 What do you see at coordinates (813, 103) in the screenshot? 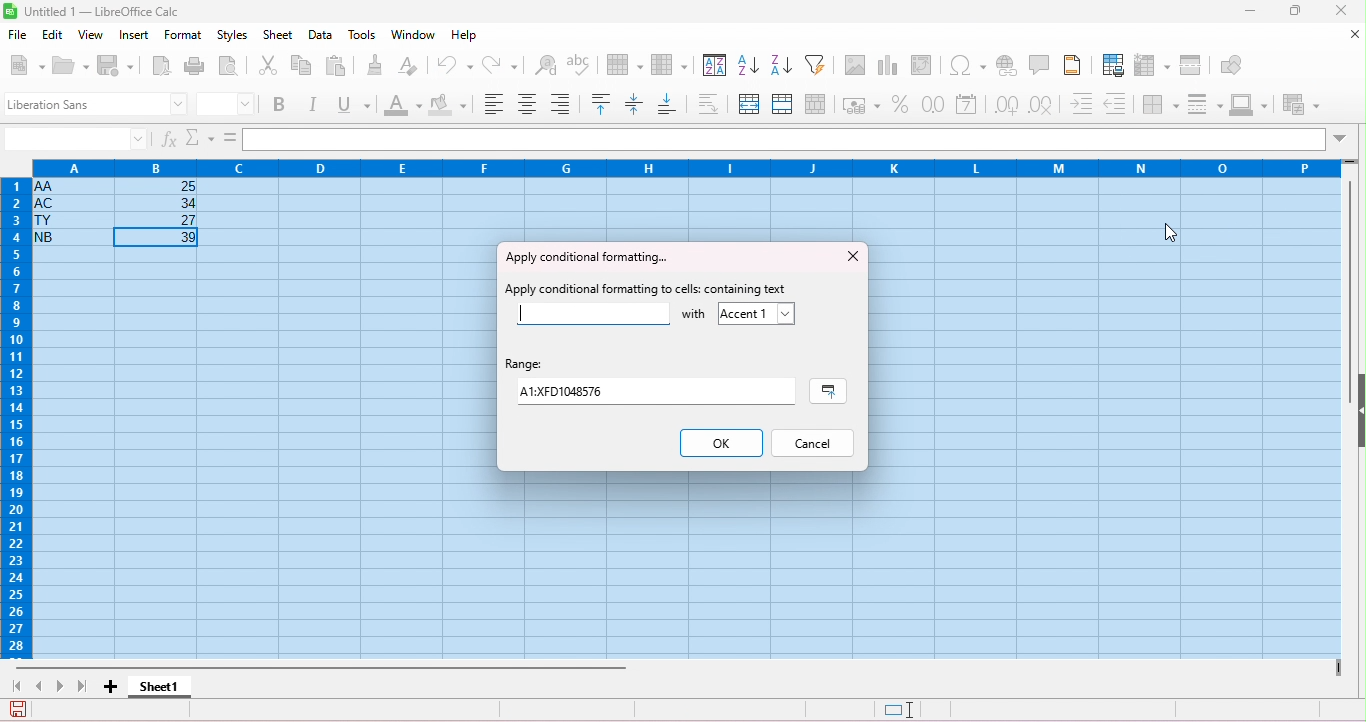
I see `unmerge` at bounding box center [813, 103].